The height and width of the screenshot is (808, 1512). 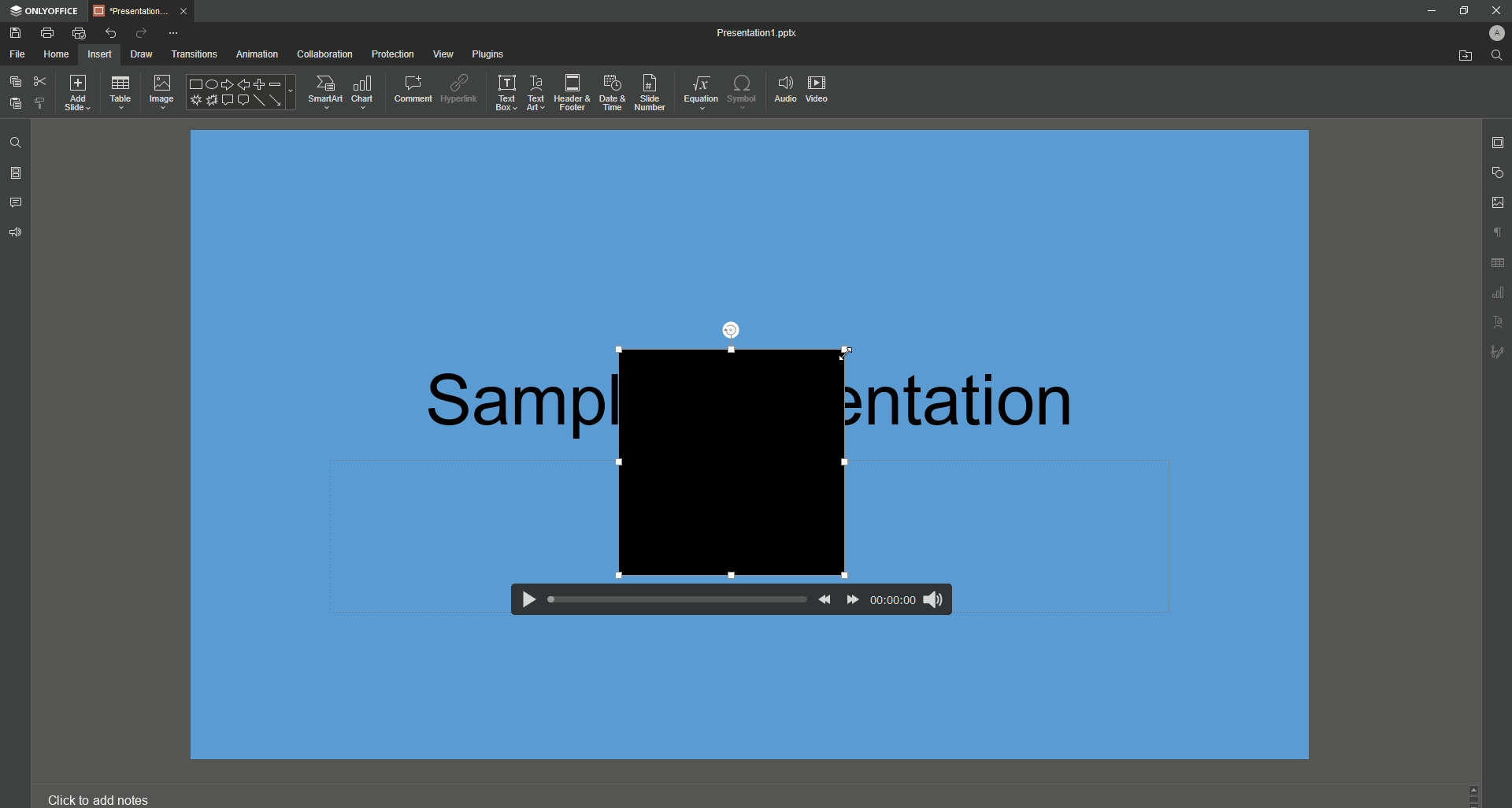 I want to click on Save, so click(x=14, y=32).